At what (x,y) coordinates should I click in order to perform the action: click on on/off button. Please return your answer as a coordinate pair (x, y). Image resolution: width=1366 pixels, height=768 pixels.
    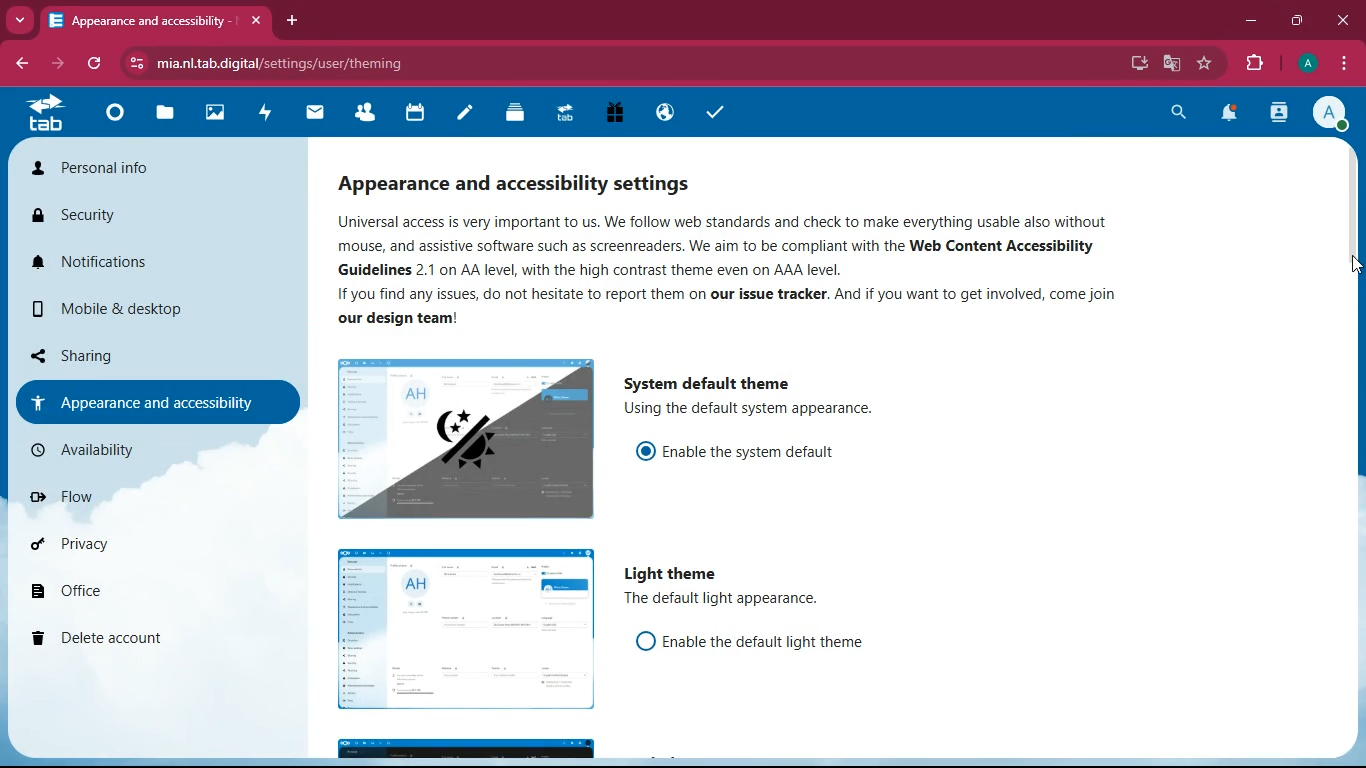
    Looking at the image, I should click on (639, 642).